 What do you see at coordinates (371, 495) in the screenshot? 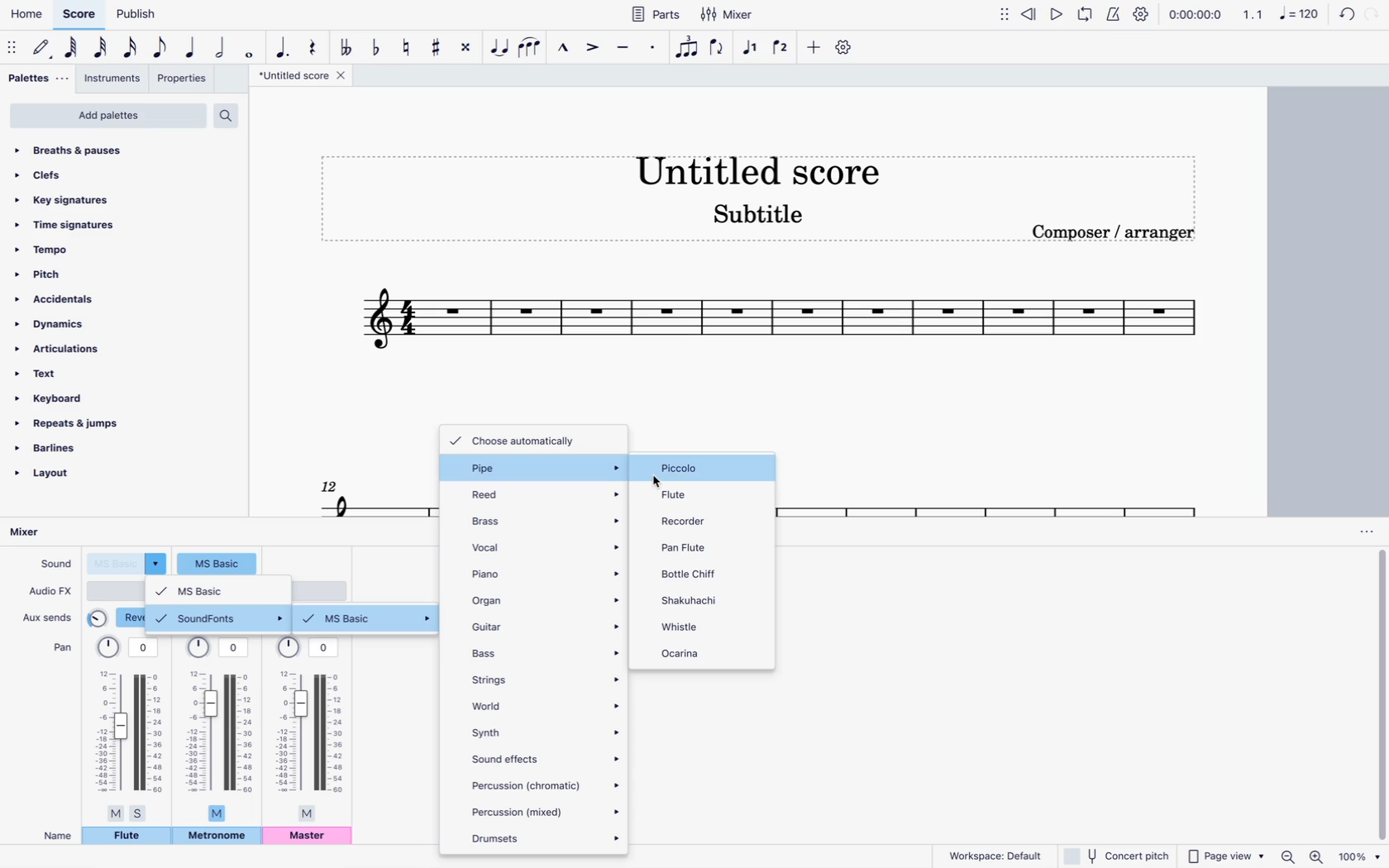
I see `scale` at bounding box center [371, 495].